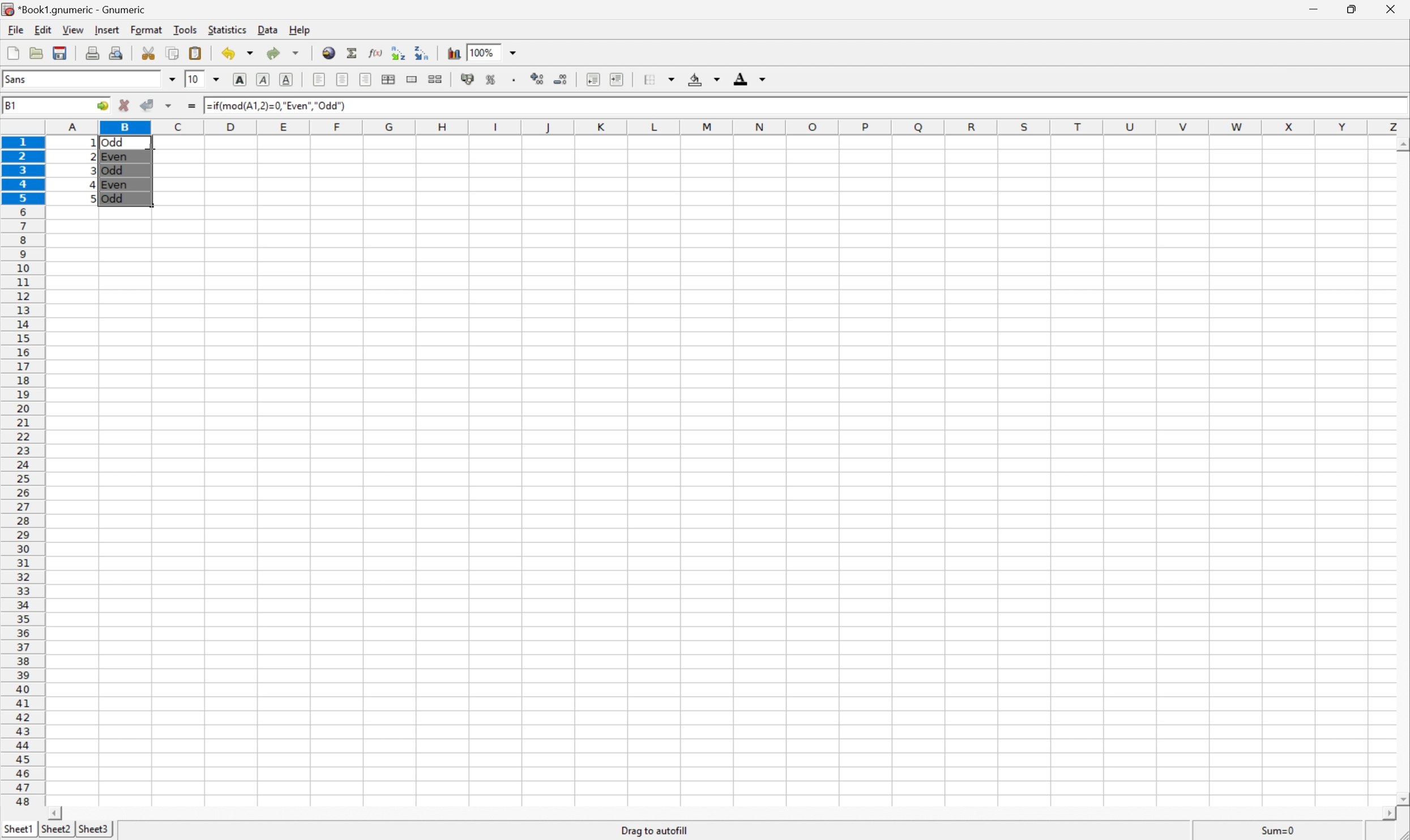 Image resolution: width=1410 pixels, height=840 pixels. Describe the element at coordinates (1399, 149) in the screenshot. I see `` at that location.